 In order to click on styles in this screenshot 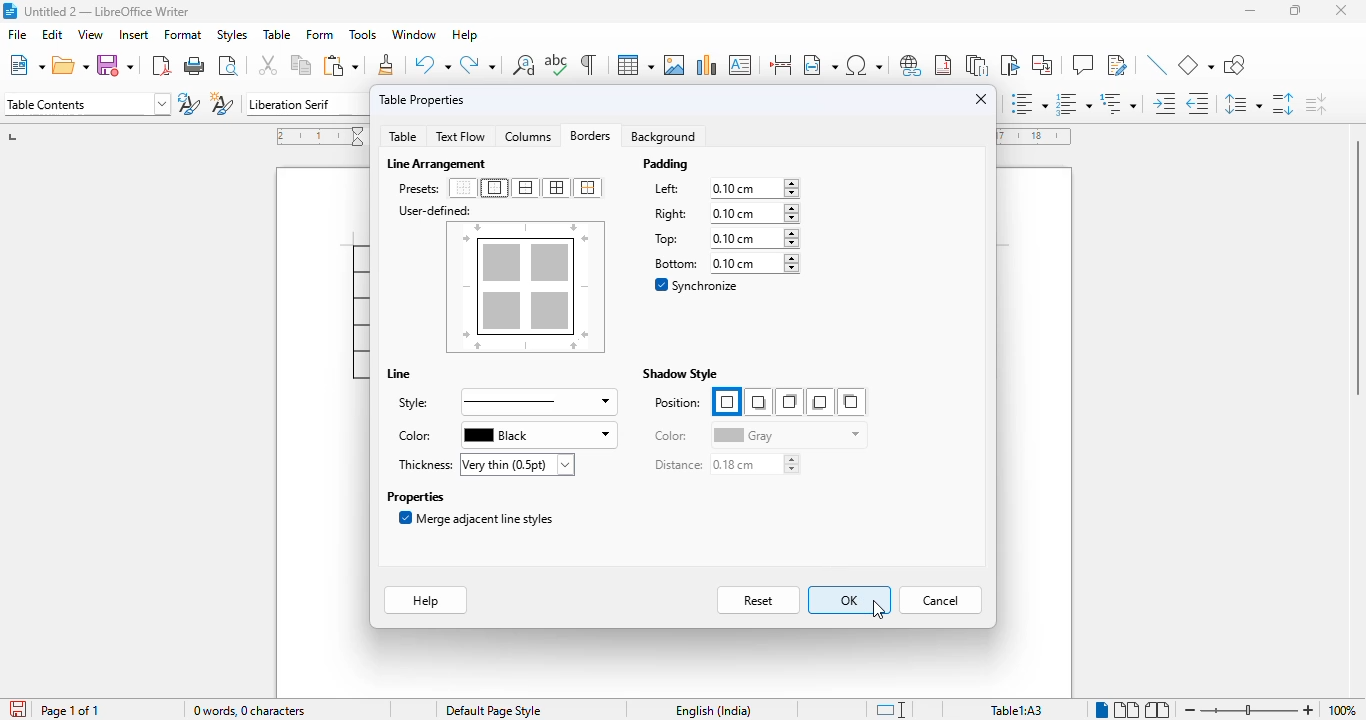, I will do `click(232, 35)`.